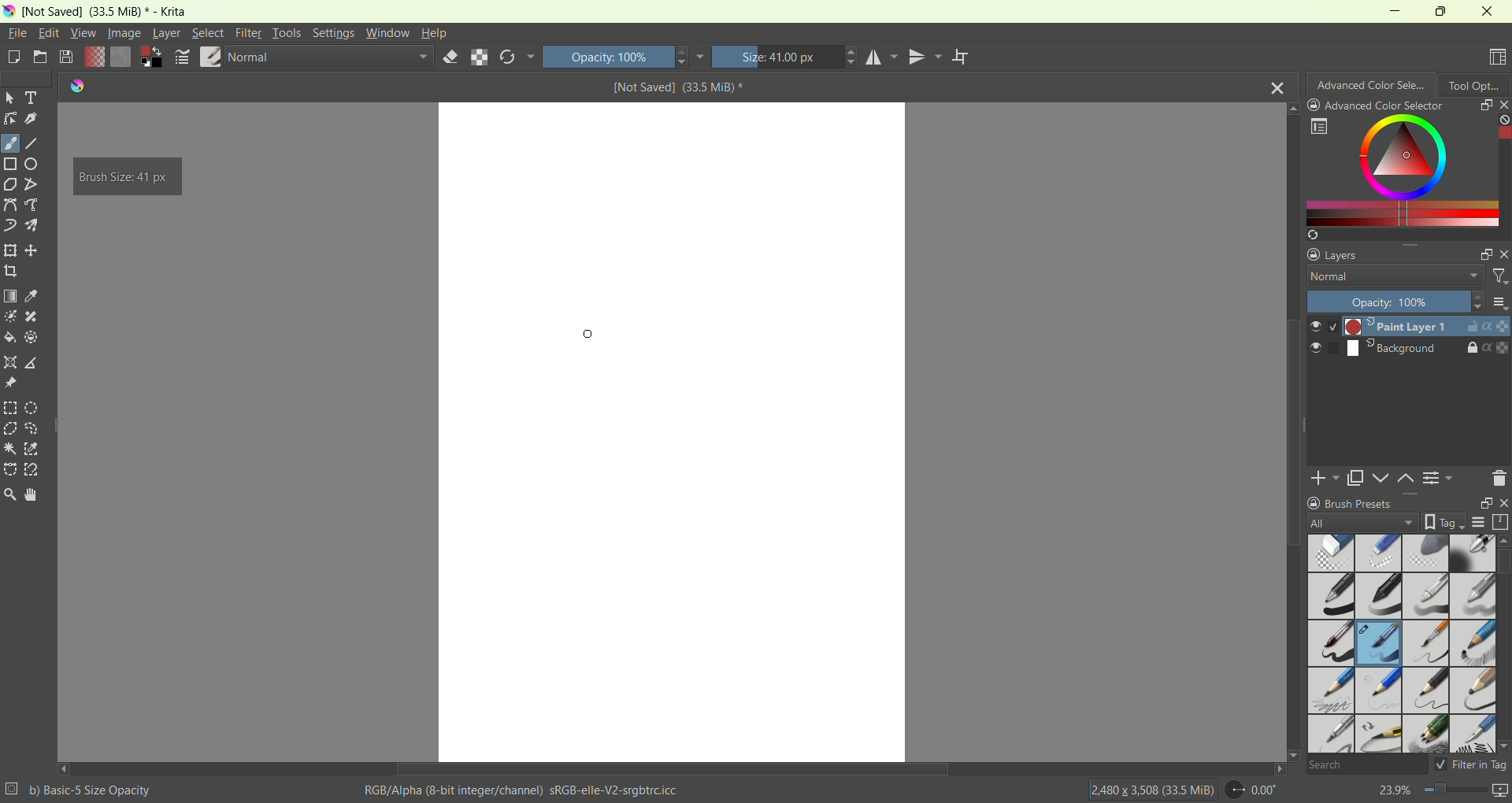 The image size is (1512, 803). I want to click on bezier curve selection, so click(10, 468).